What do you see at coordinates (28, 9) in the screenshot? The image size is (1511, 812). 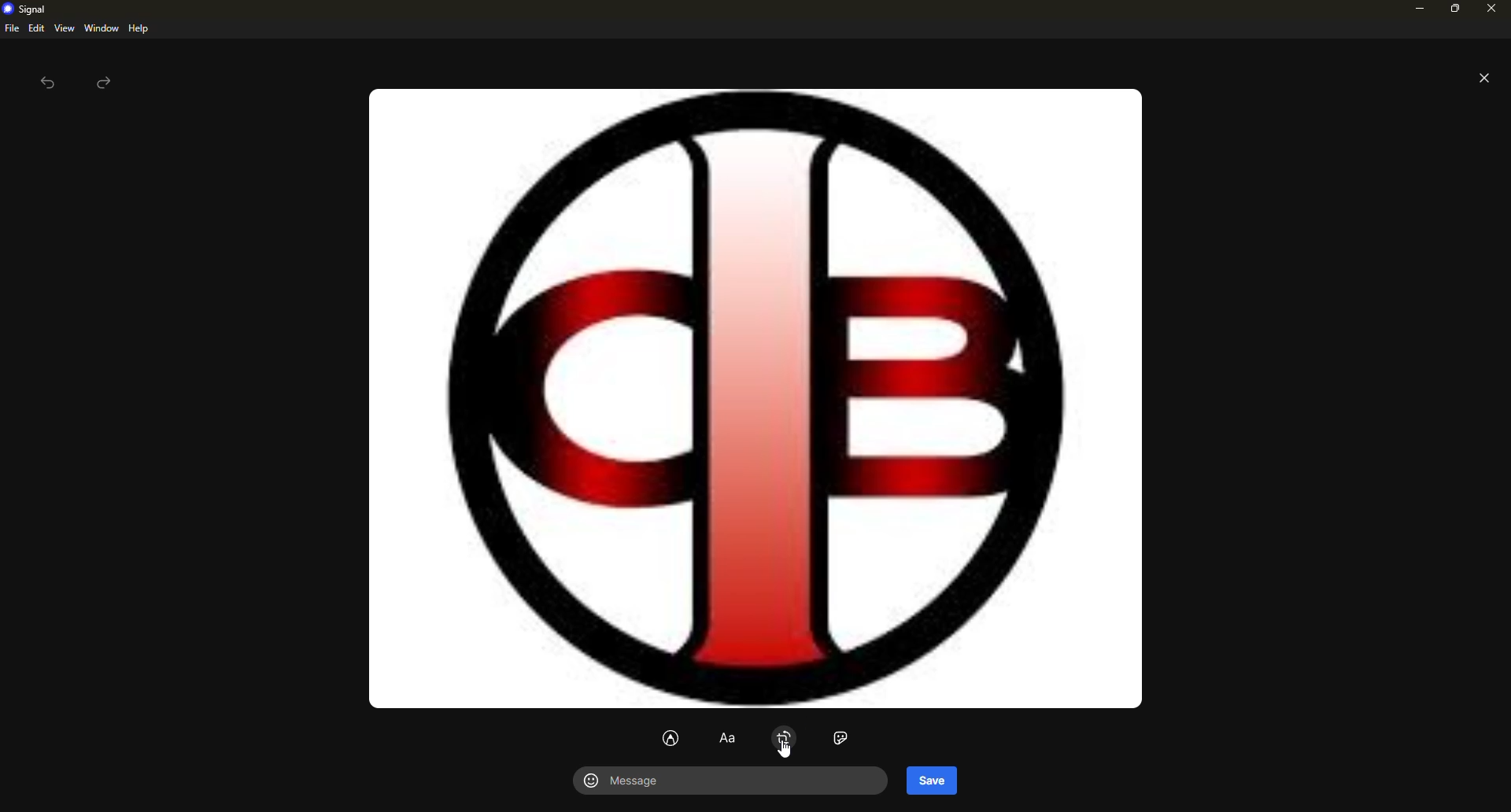 I see `signal` at bounding box center [28, 9].